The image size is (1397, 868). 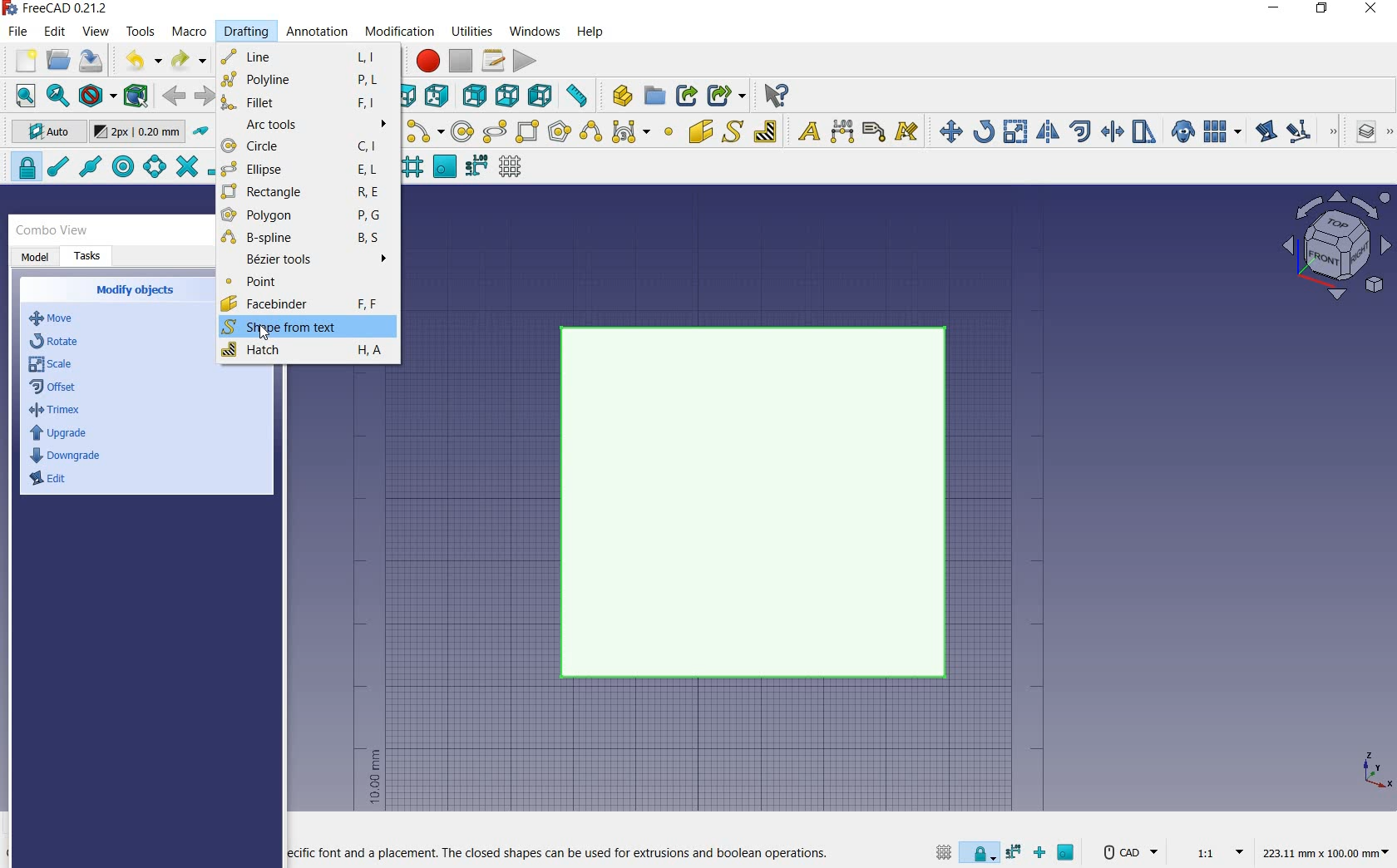 What do you see at coordinates (141, 31) in the screenshot?
I see `tools` at bounding box center [141, 31].